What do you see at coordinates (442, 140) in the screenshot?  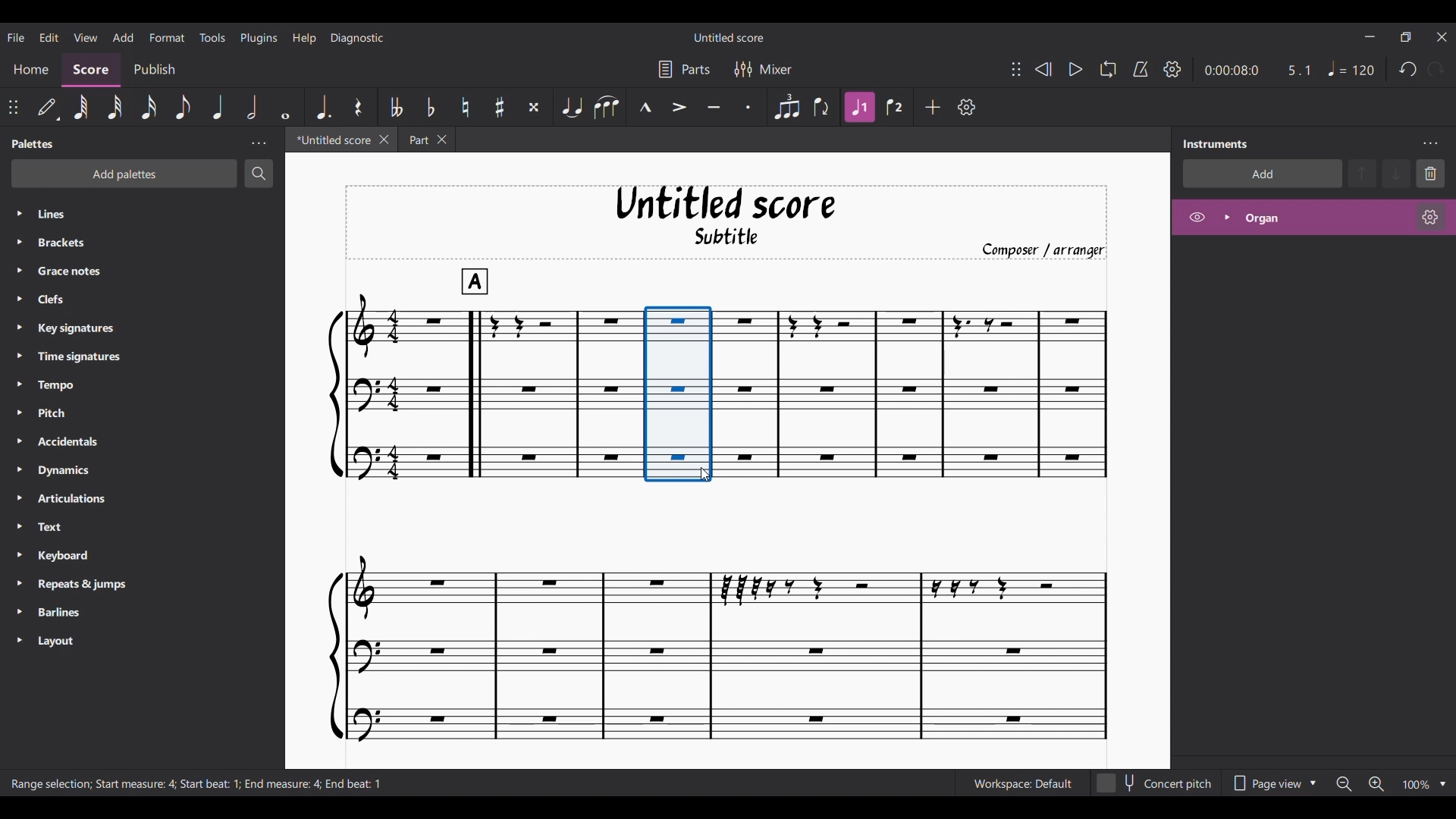 I see `Close Part tab` at bounding box center [442, 140].